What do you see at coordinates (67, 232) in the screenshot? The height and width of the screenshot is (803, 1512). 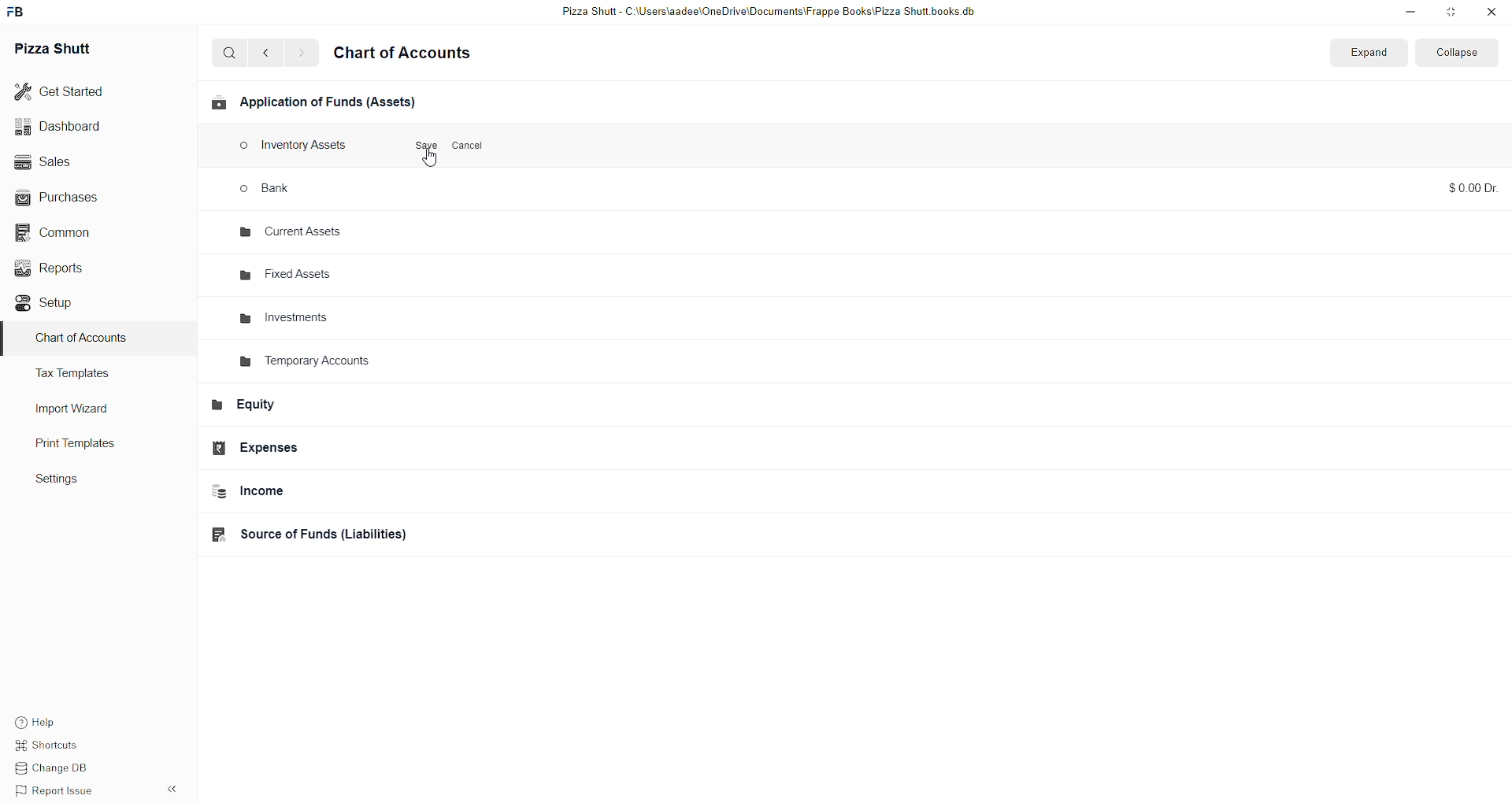 I see `Common ` at bounding box center [67, 232].